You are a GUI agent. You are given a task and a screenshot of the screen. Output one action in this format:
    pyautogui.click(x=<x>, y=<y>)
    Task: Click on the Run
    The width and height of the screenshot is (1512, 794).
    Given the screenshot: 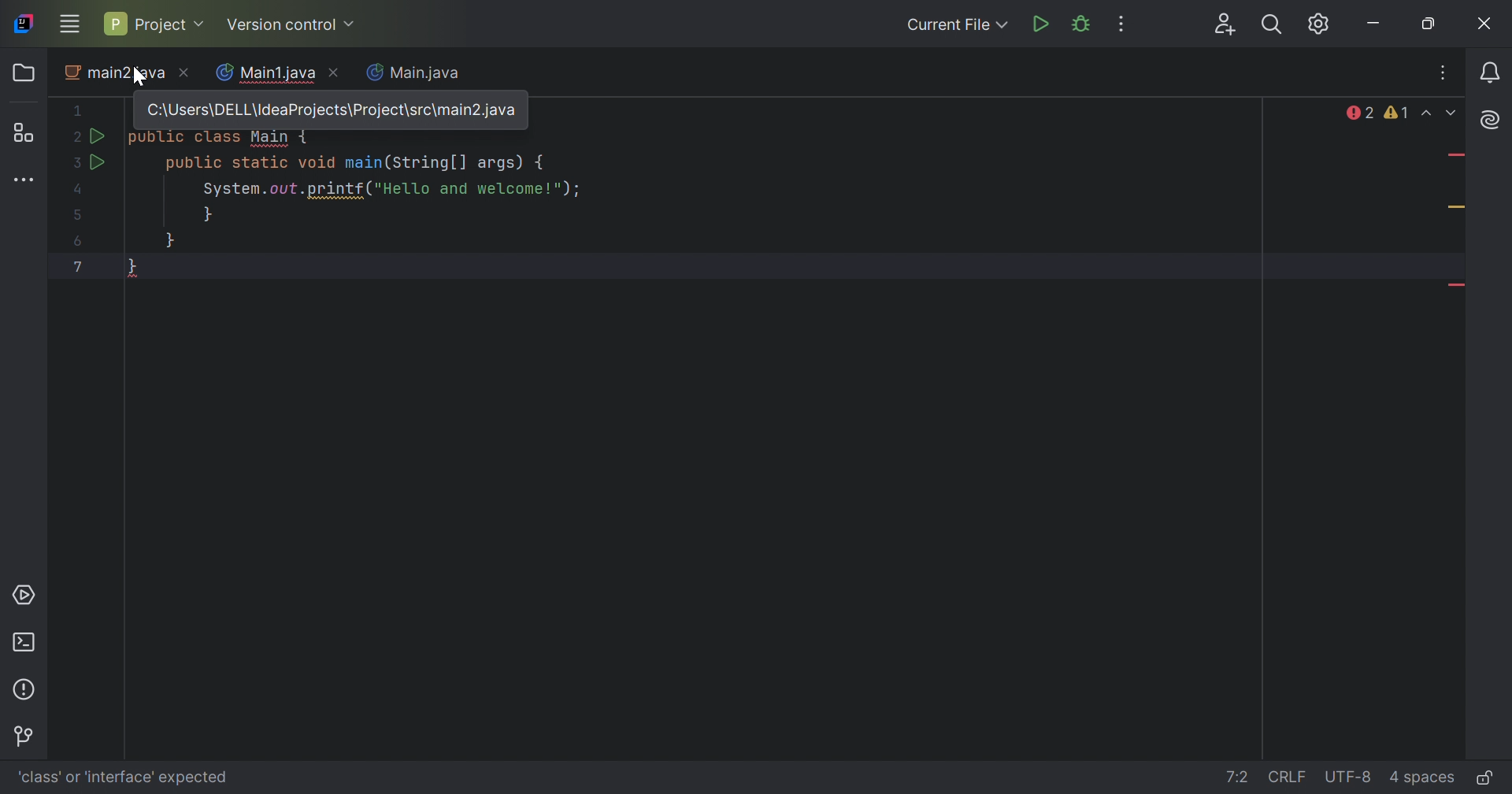 What is the action you would take?
    pyautogui.click(x=102, y=163)
    